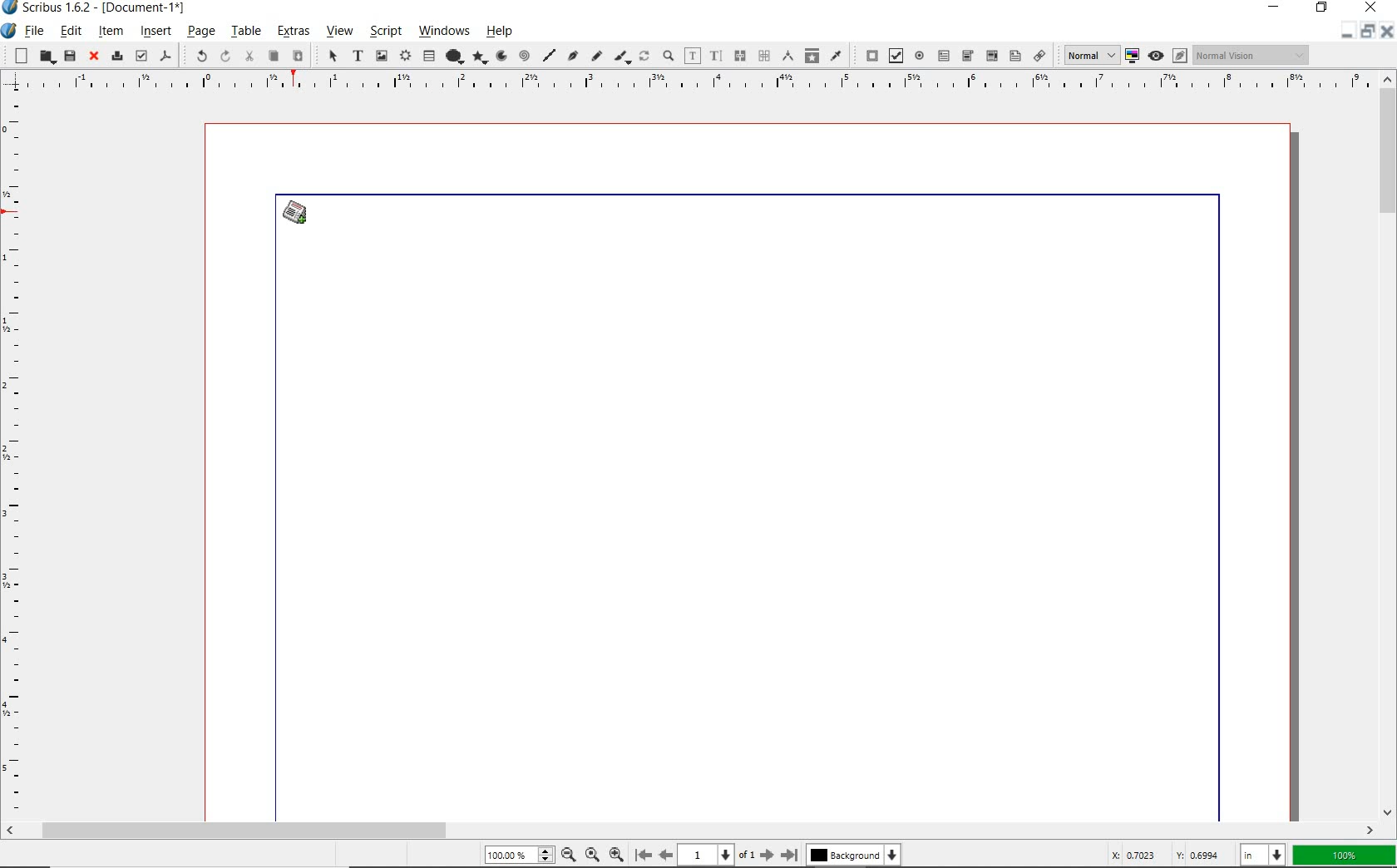  What do you see at coordinates (1348, 30) in the screenshot?
I see `restore down` at bounding box center [1348, 30].